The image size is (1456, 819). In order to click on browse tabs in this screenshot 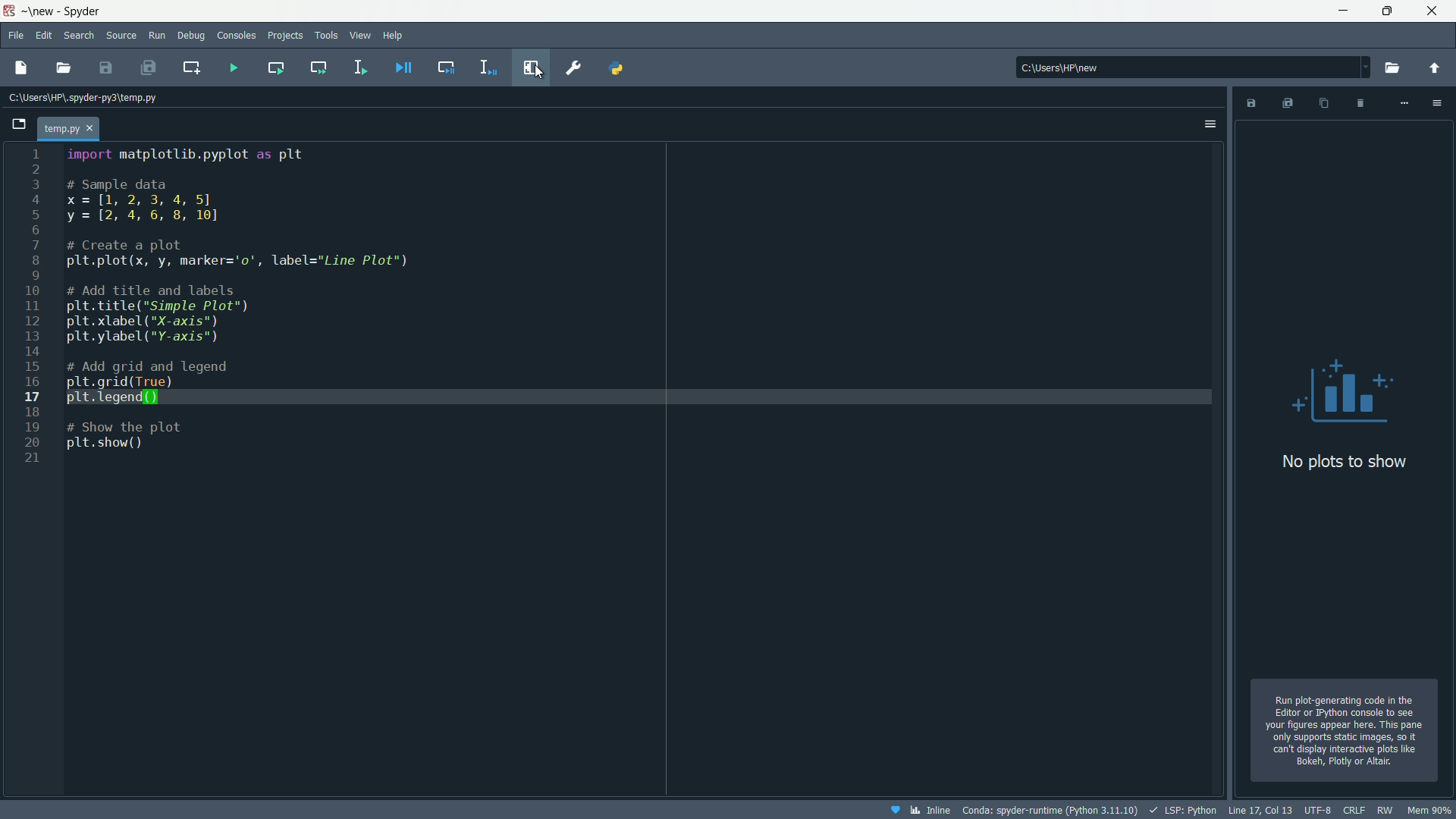, I will do `click(19, 125)`.